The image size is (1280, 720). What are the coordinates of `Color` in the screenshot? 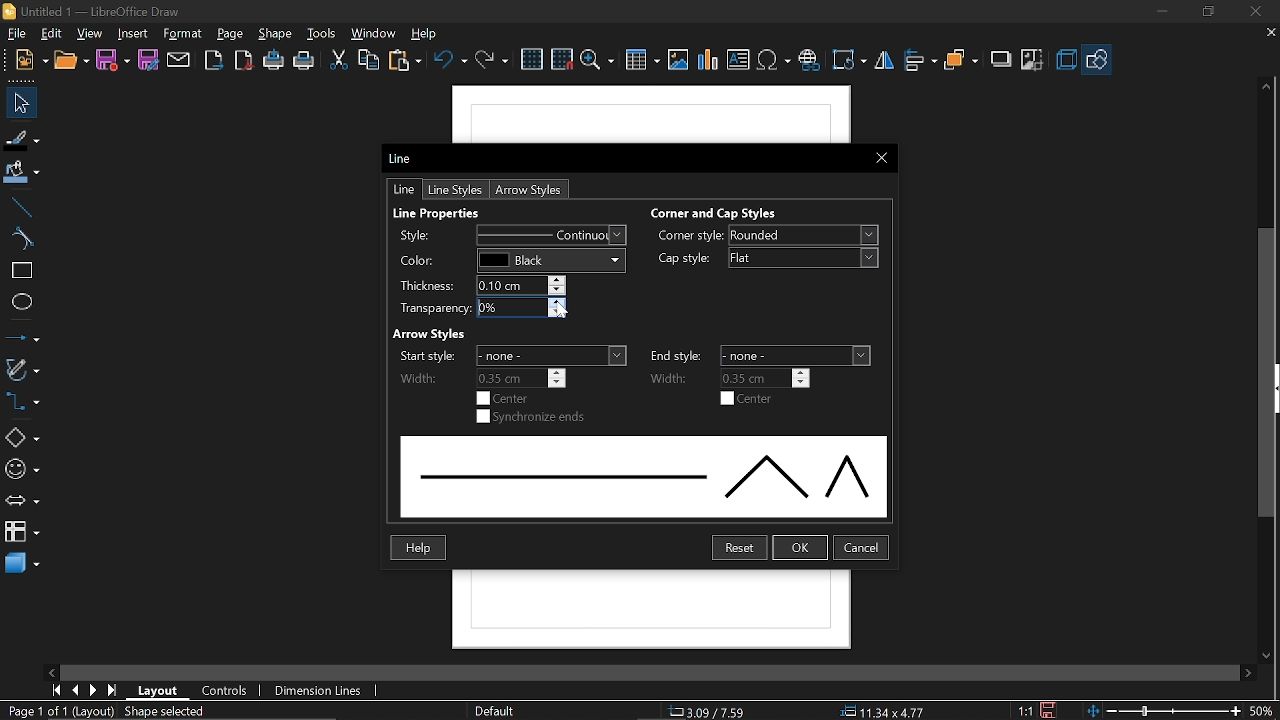 It's located at (507, 259).